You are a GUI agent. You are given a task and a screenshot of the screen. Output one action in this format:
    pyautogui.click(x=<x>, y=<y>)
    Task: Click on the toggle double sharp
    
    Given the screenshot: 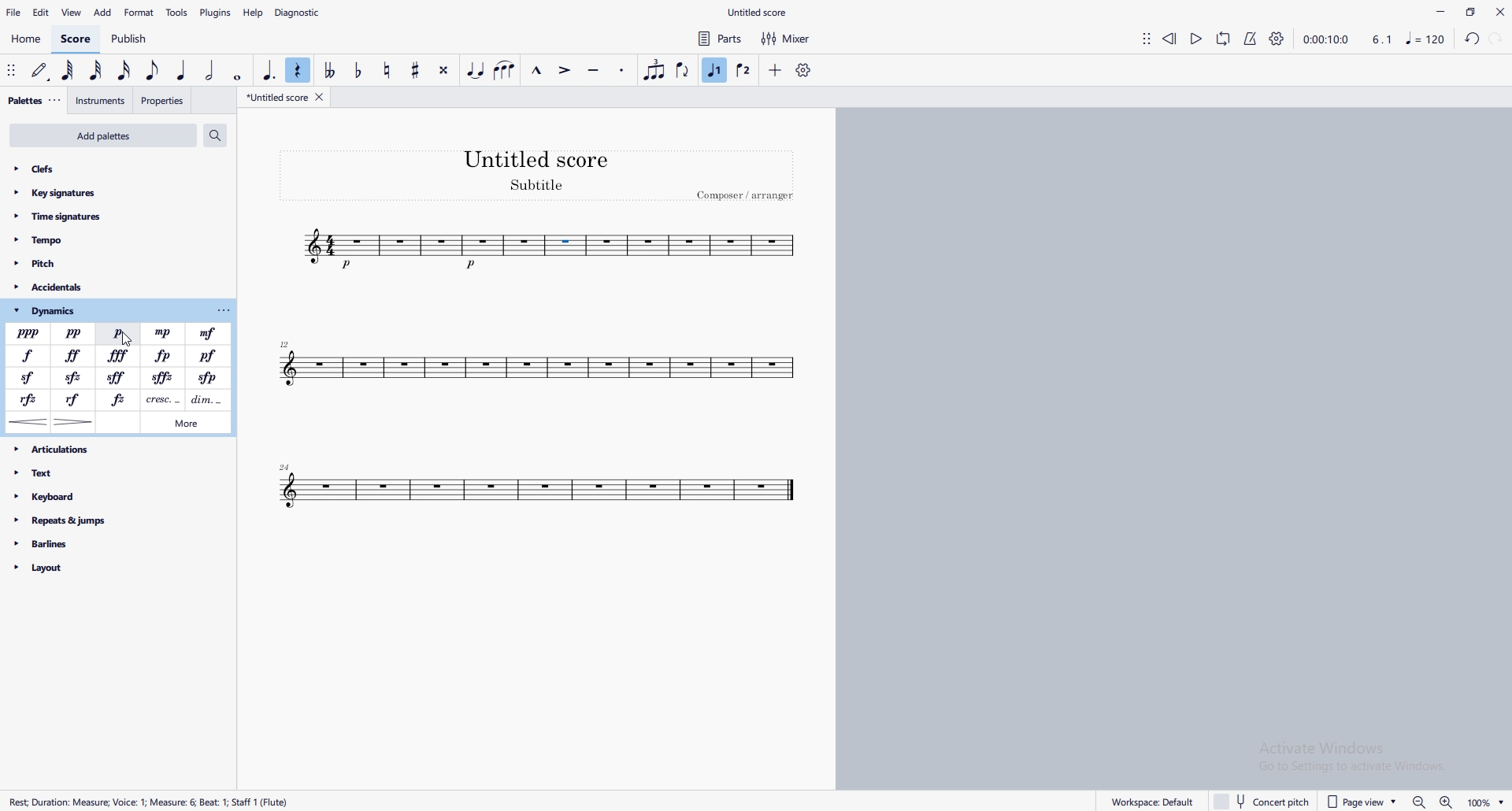 What is the action you would take?
    pyautogui.click(x=443, y=70)
    